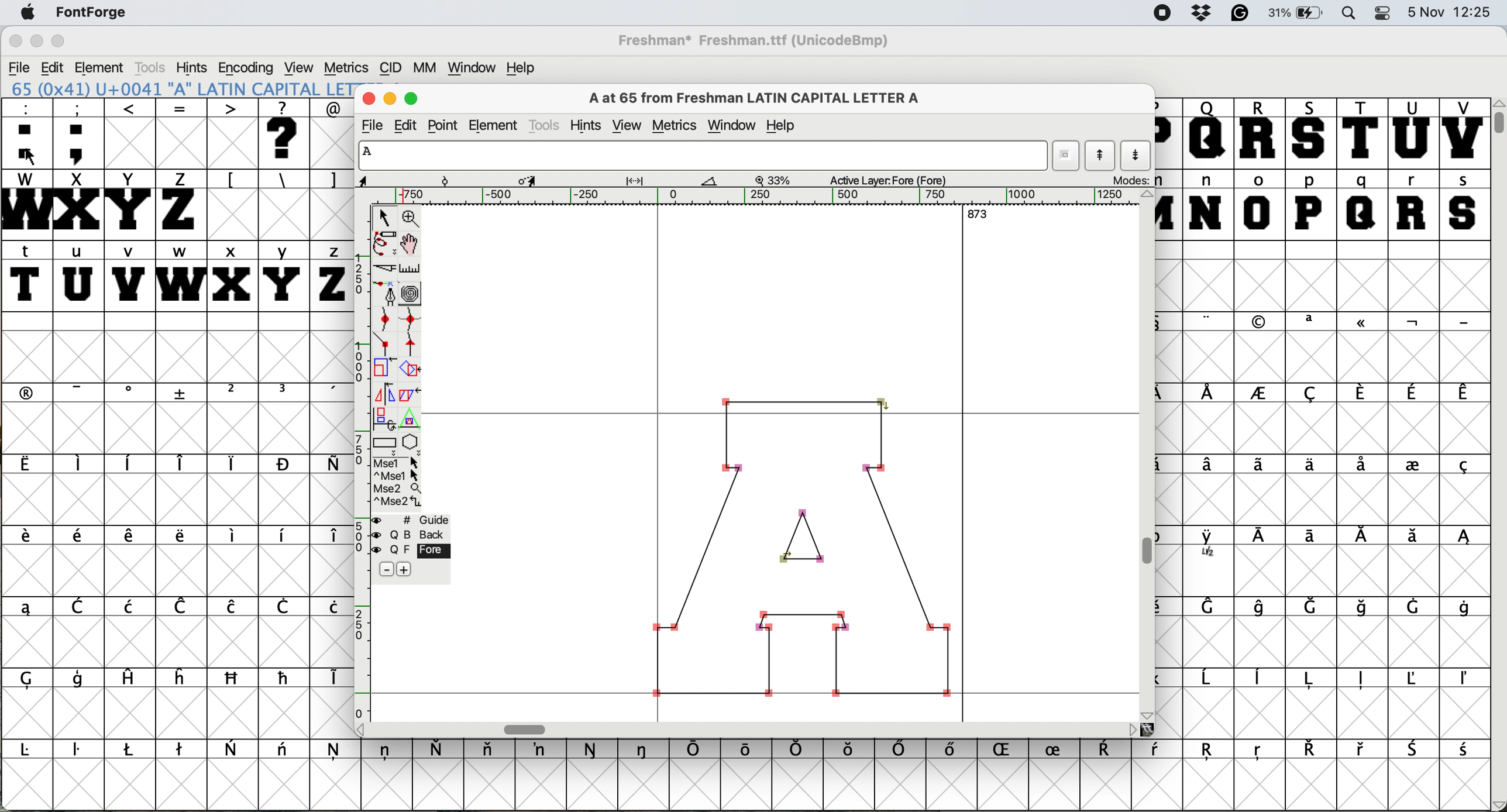 The width and height of the screenshot is (1507, 812). Describe the element at coordinates (283, 180) in the screenshot. I see `\` at that location.